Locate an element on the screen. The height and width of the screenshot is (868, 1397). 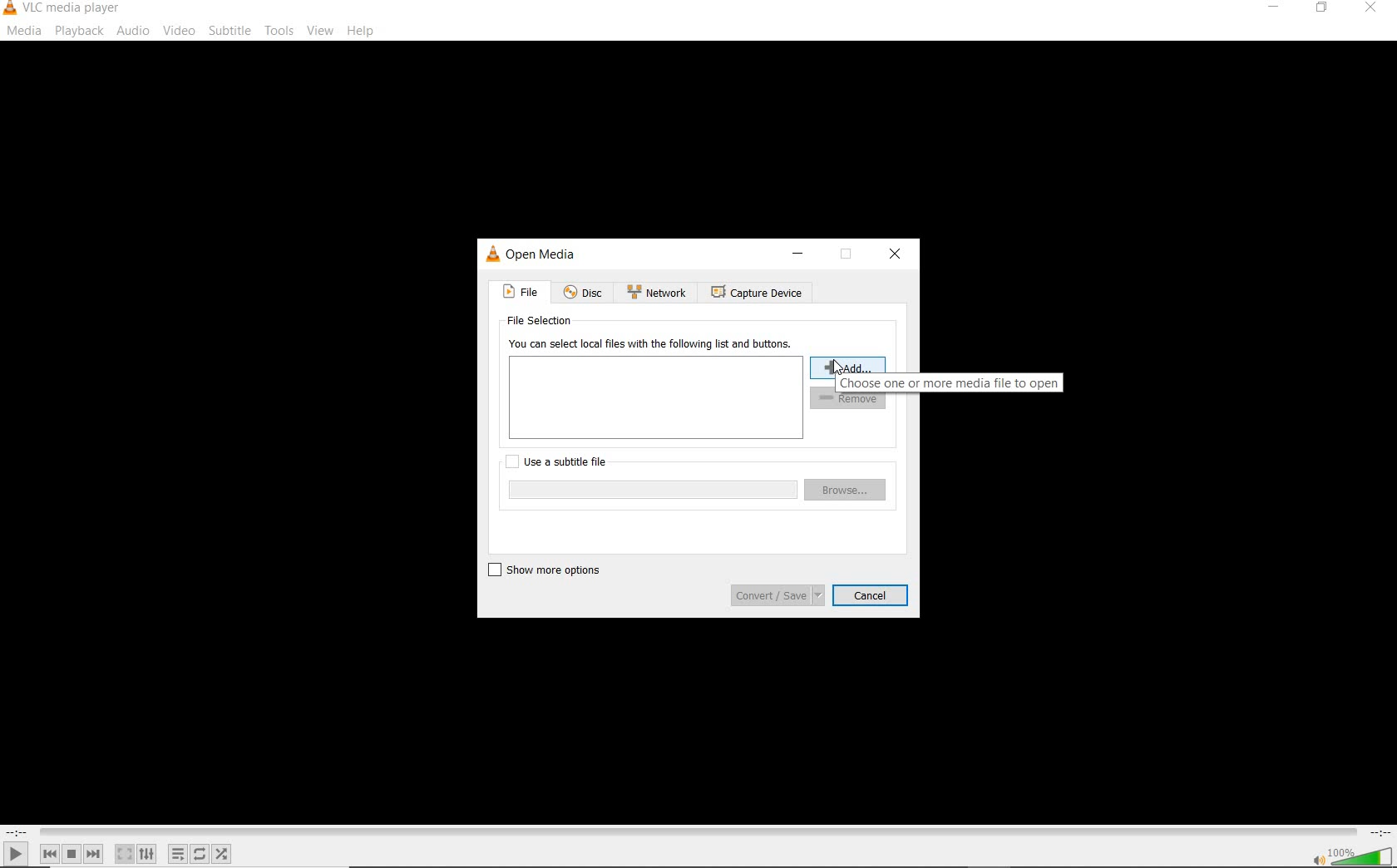
system name is located at coordinates (63, 9).